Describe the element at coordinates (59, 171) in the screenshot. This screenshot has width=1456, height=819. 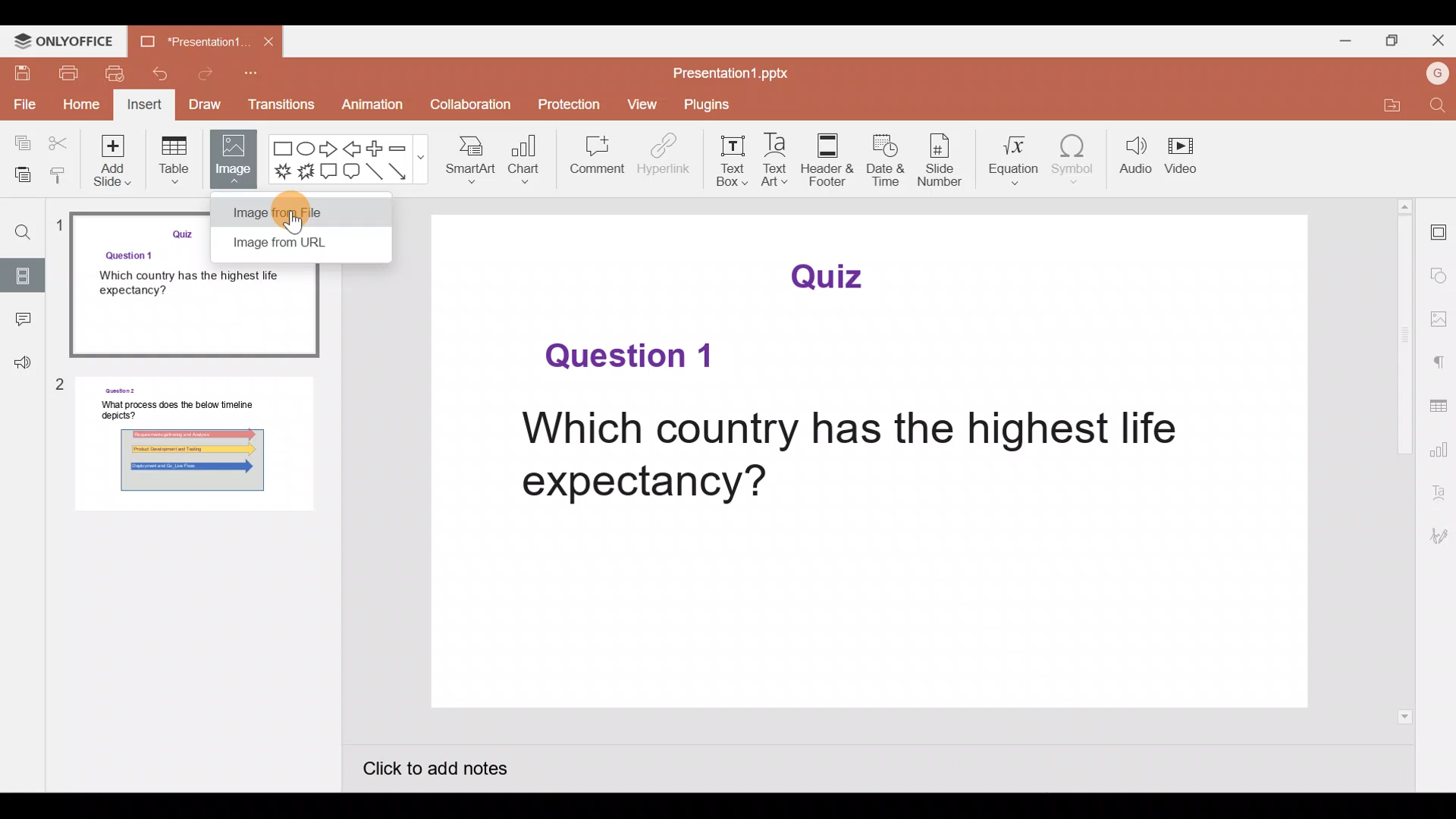
I see `Copy style` at that location.